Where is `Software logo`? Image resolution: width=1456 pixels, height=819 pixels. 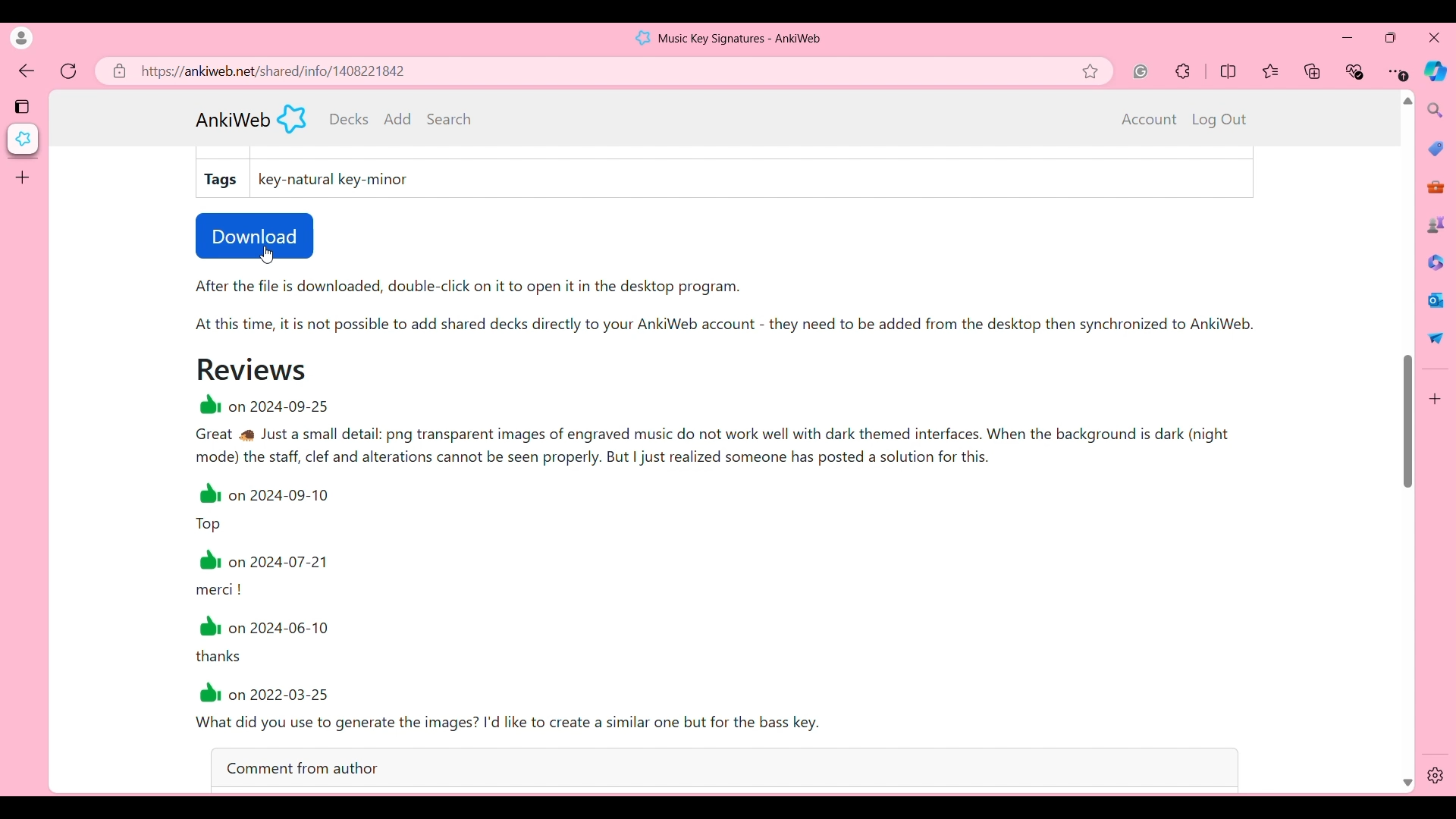 Software logo is located at coordinates (292, 118).